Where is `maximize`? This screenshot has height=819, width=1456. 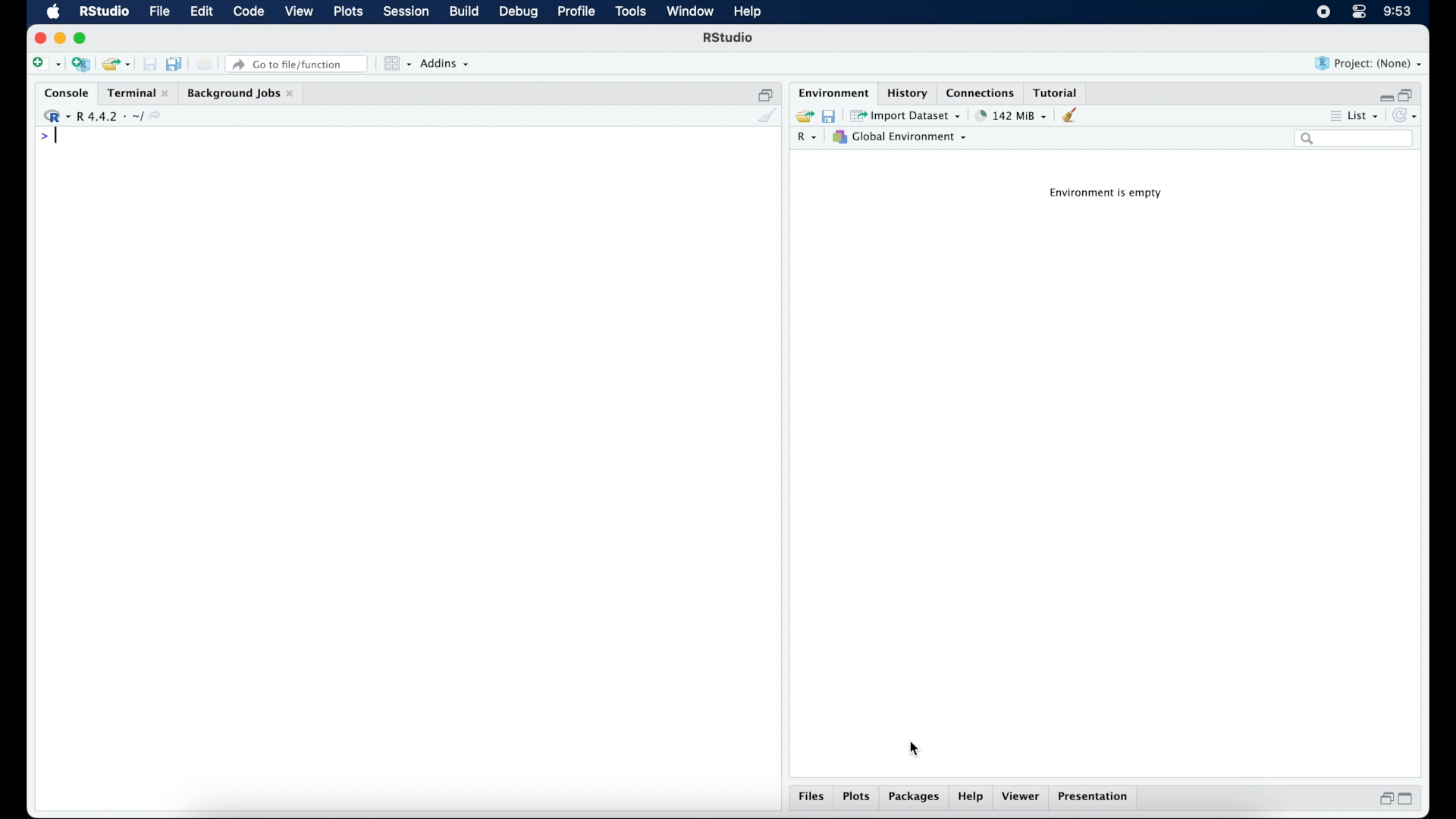 maximize is located at coordinates (1407, 801).